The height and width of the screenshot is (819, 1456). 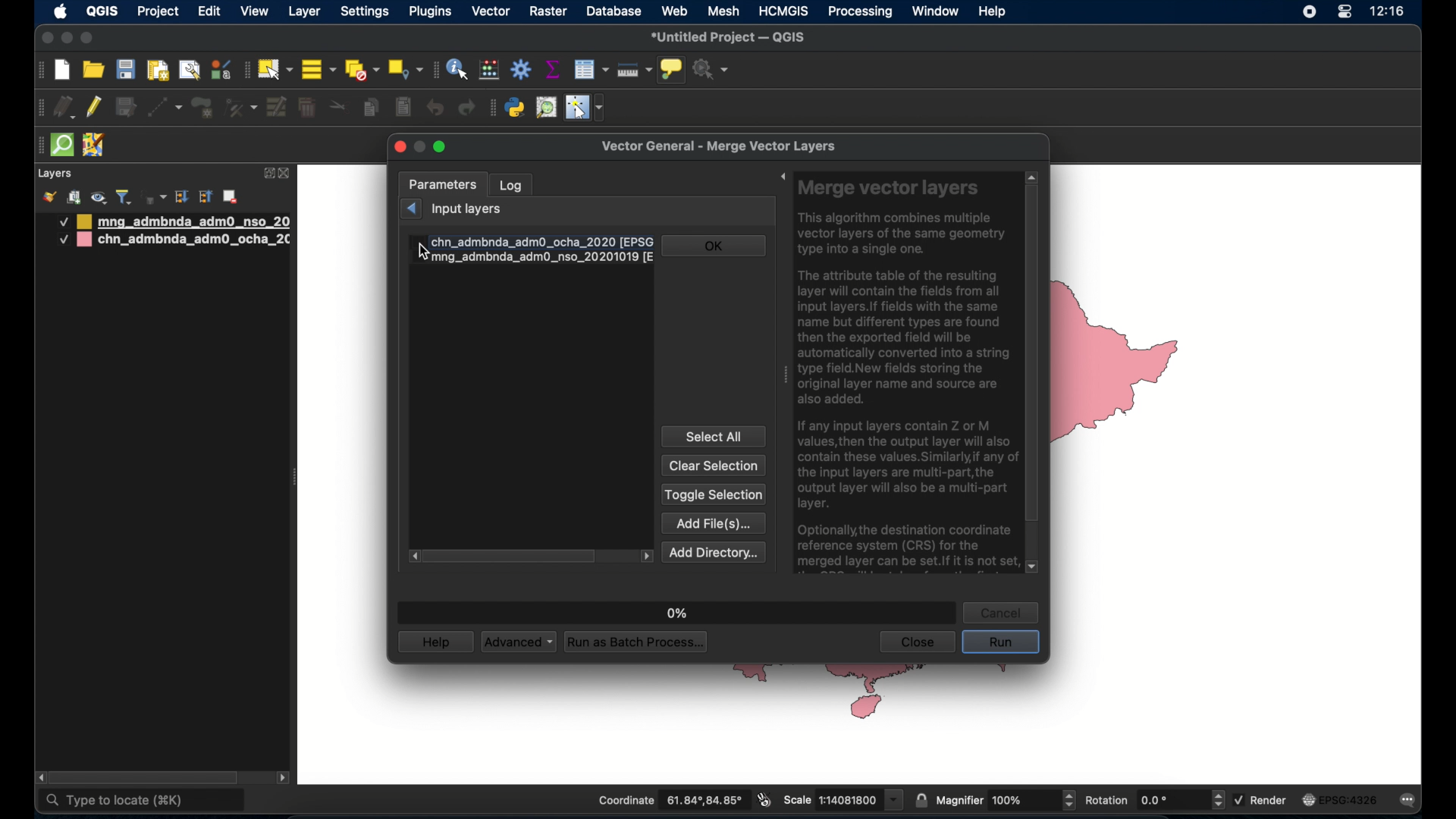 What do you see at coordinates (95, 71) in the screenshot?
I see `open project` at bounding box center [95, 71].